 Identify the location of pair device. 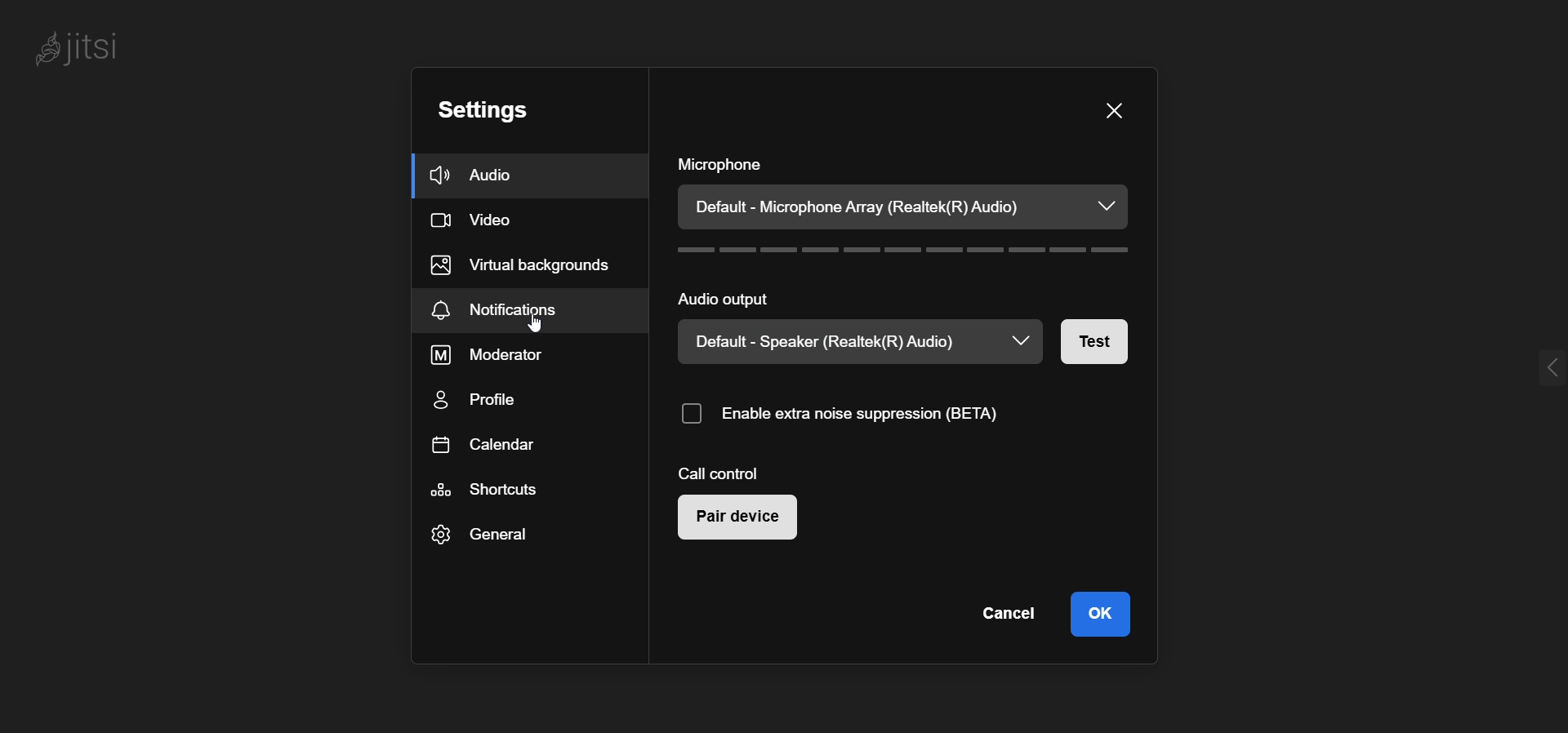
(748, 518).